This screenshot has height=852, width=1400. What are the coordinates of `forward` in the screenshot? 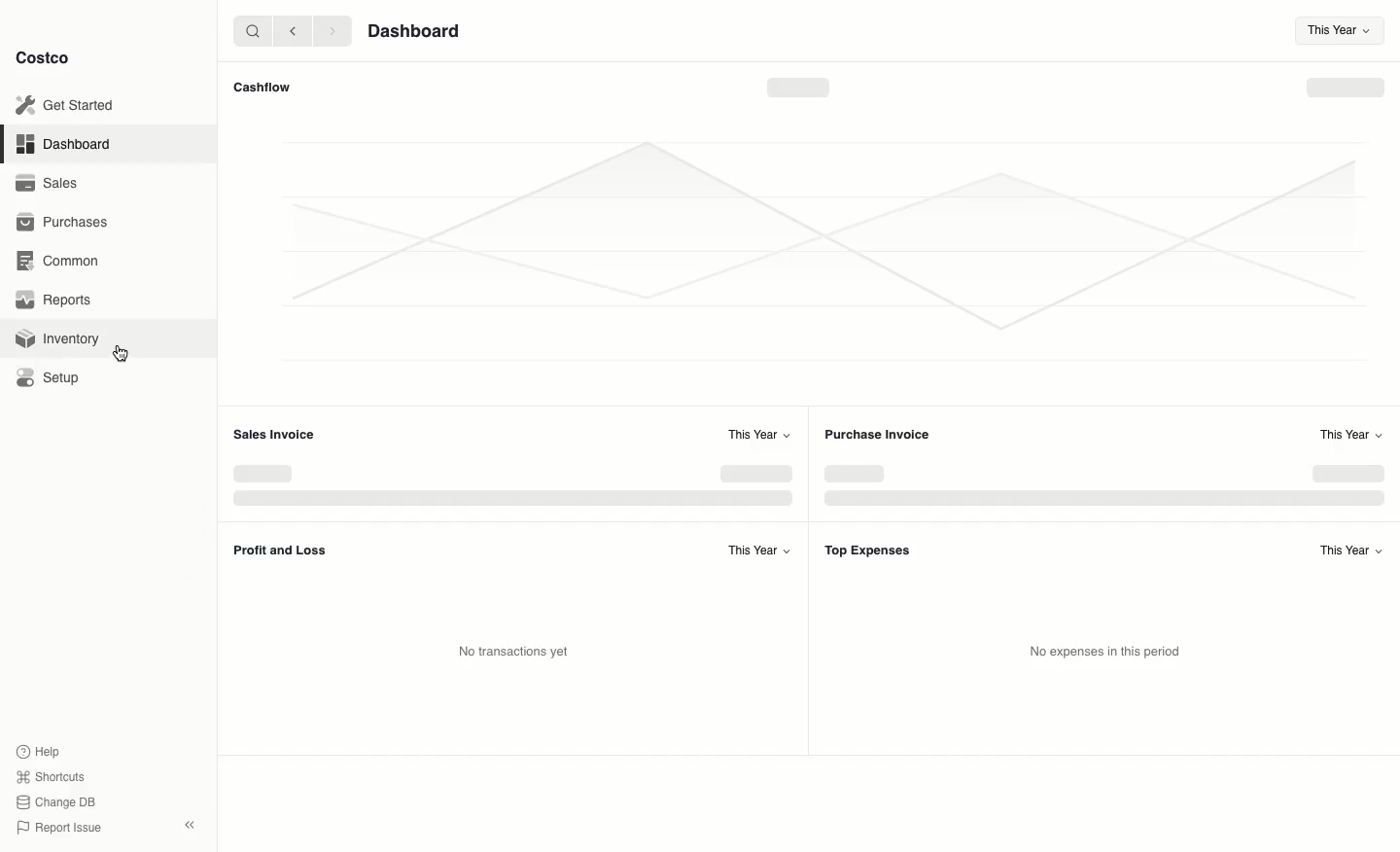 It's located at (328, 30).